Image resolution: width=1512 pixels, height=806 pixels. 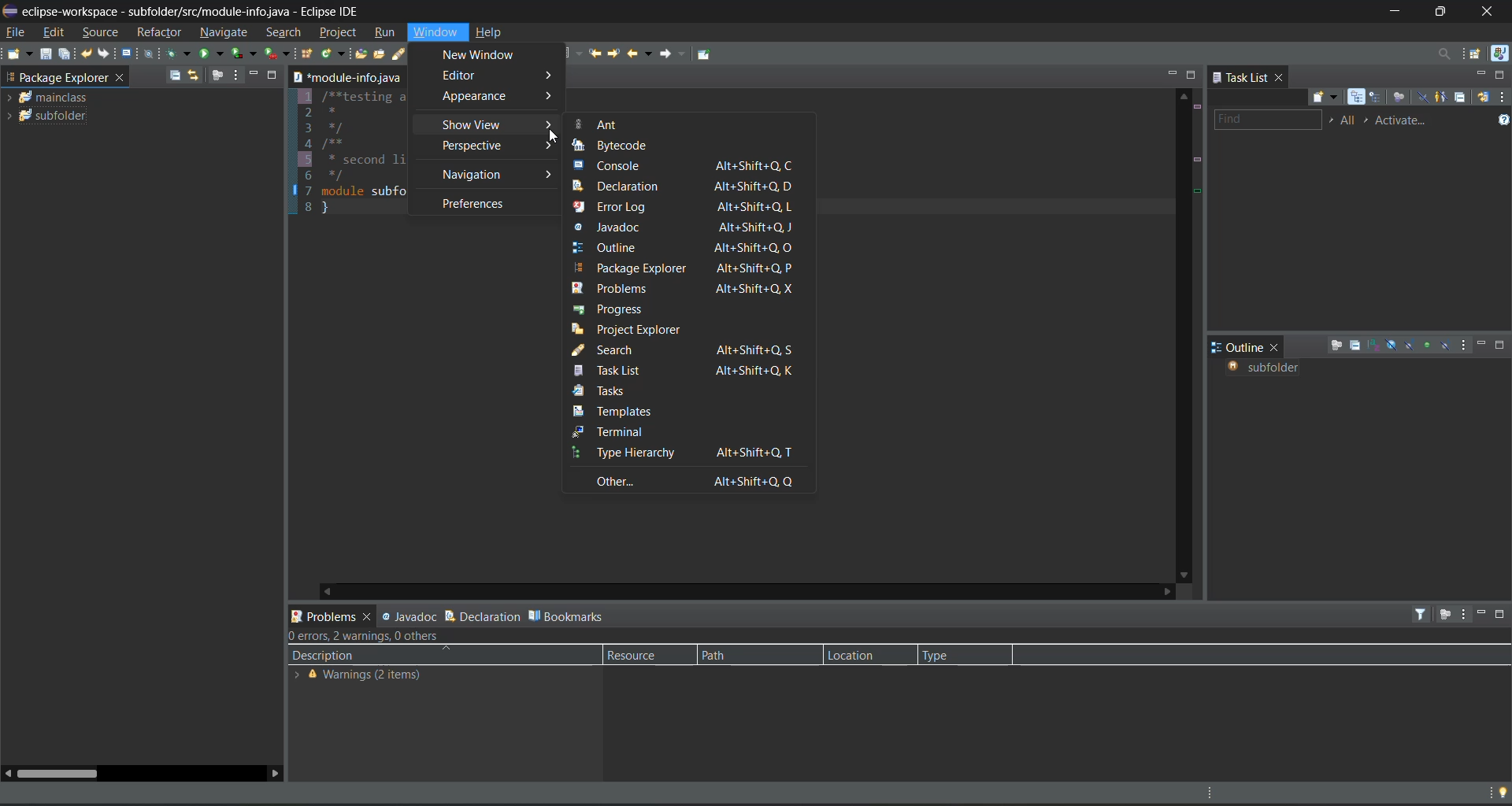 I want to click on show tasks UI legend, so click(x=1502, y=119).